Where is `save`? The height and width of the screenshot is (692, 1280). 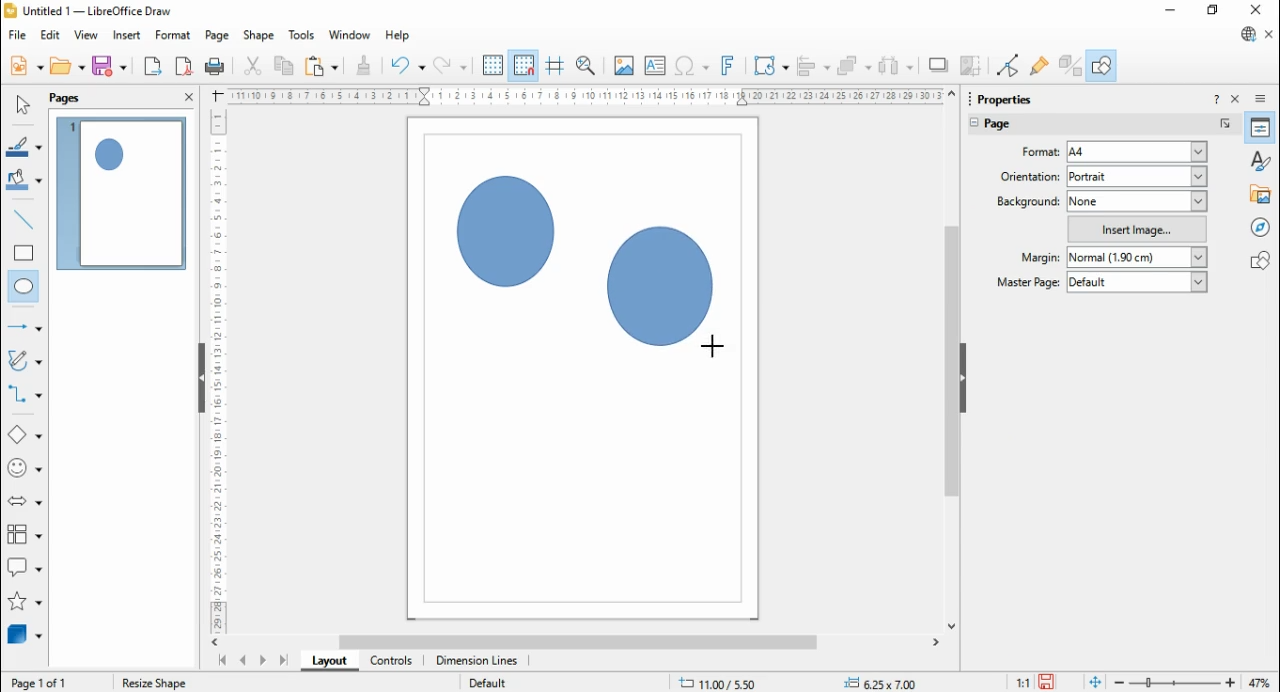 save is located at coordinates (109, 66).